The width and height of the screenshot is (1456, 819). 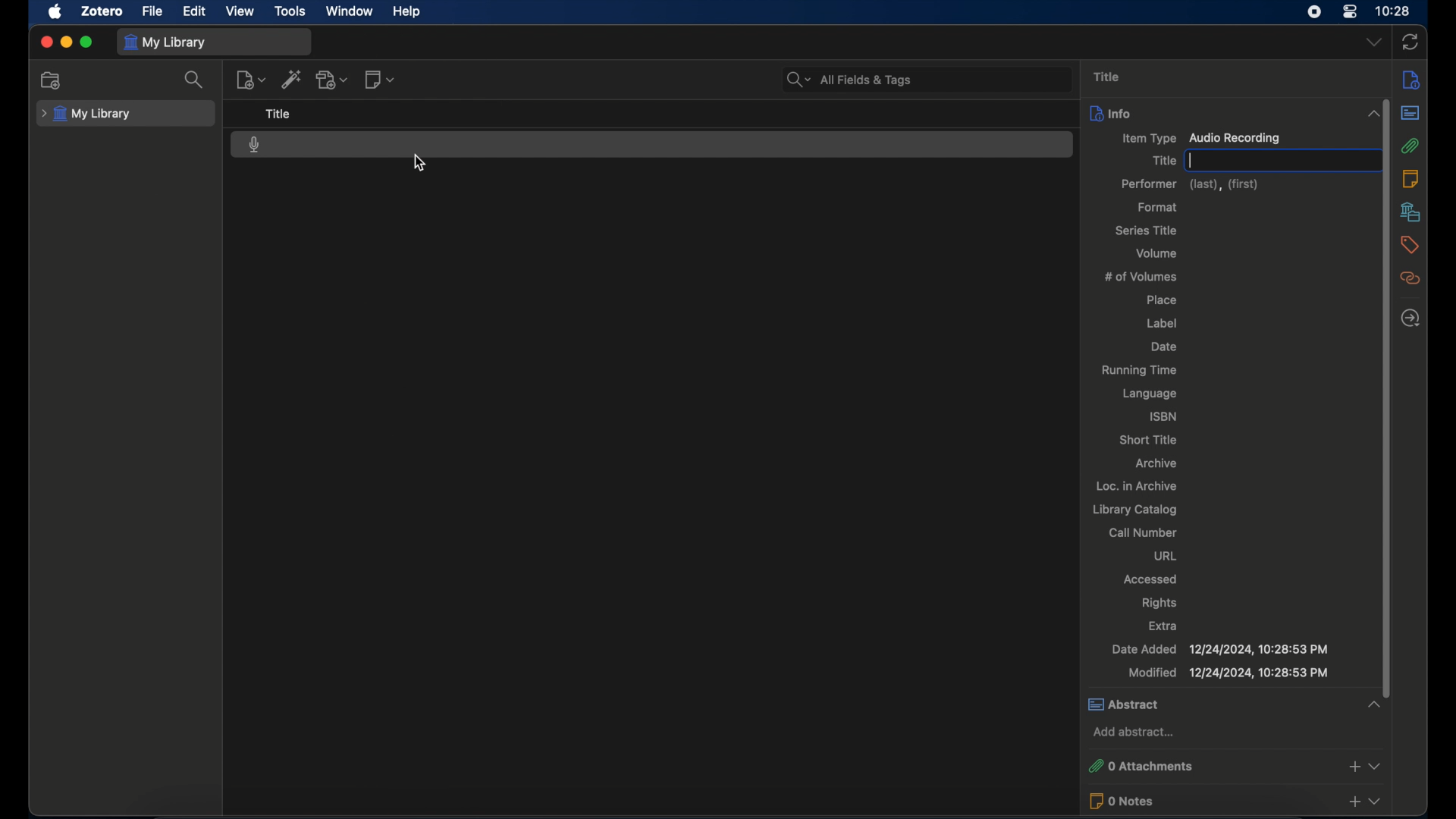 I want to click on tools, so click(x=290, y=11).